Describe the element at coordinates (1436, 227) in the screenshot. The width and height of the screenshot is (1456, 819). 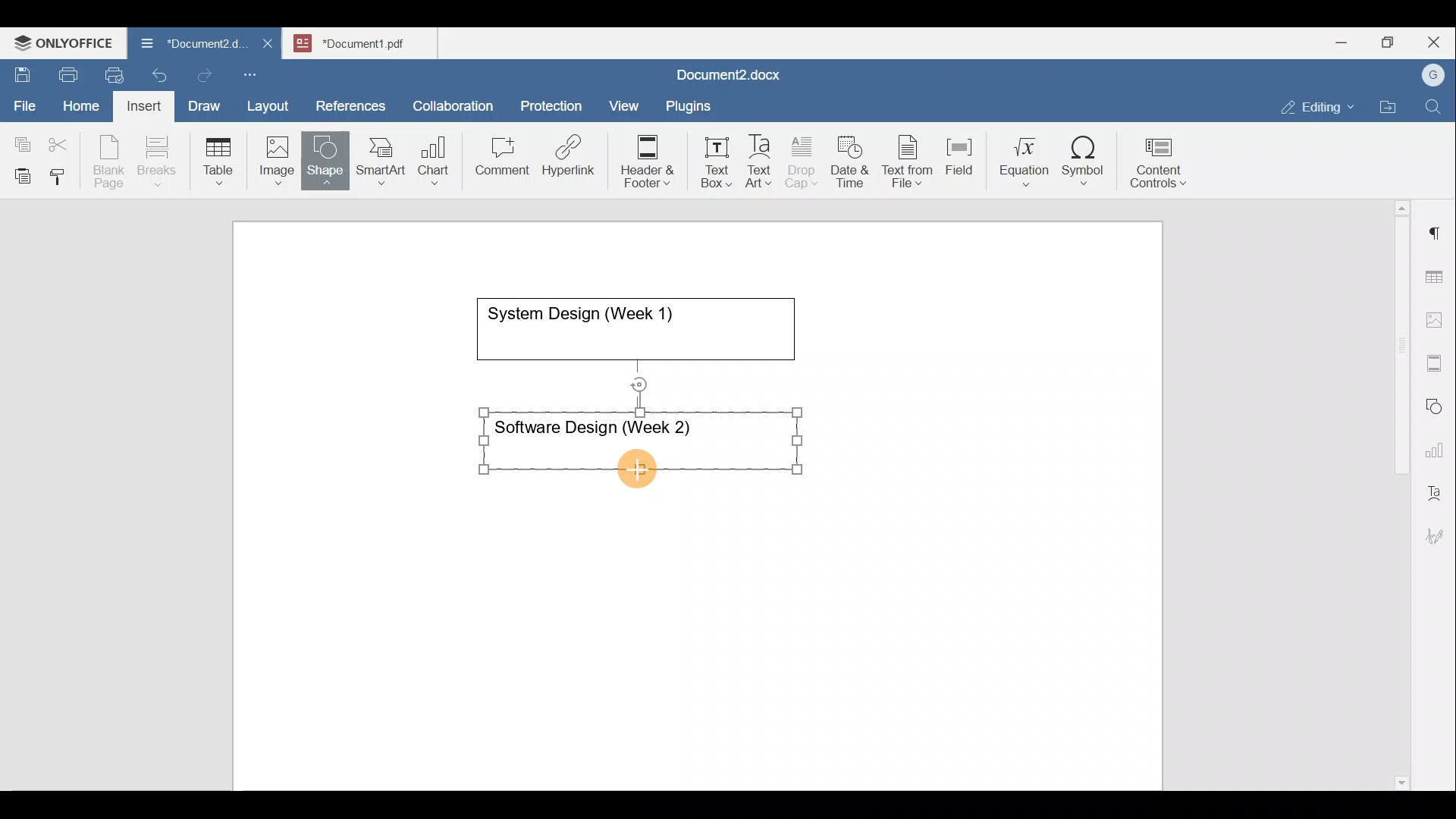
I see `Paragraph settings` at that location.